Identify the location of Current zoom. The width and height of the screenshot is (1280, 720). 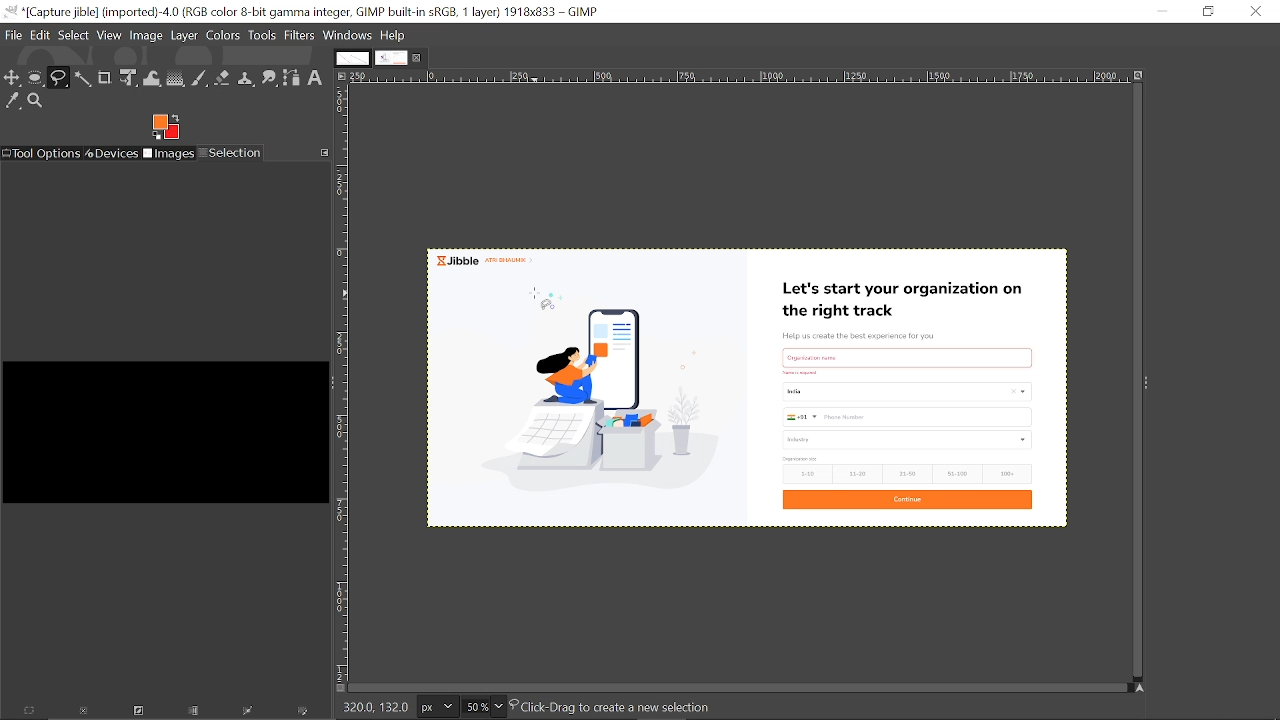
(474, 707).